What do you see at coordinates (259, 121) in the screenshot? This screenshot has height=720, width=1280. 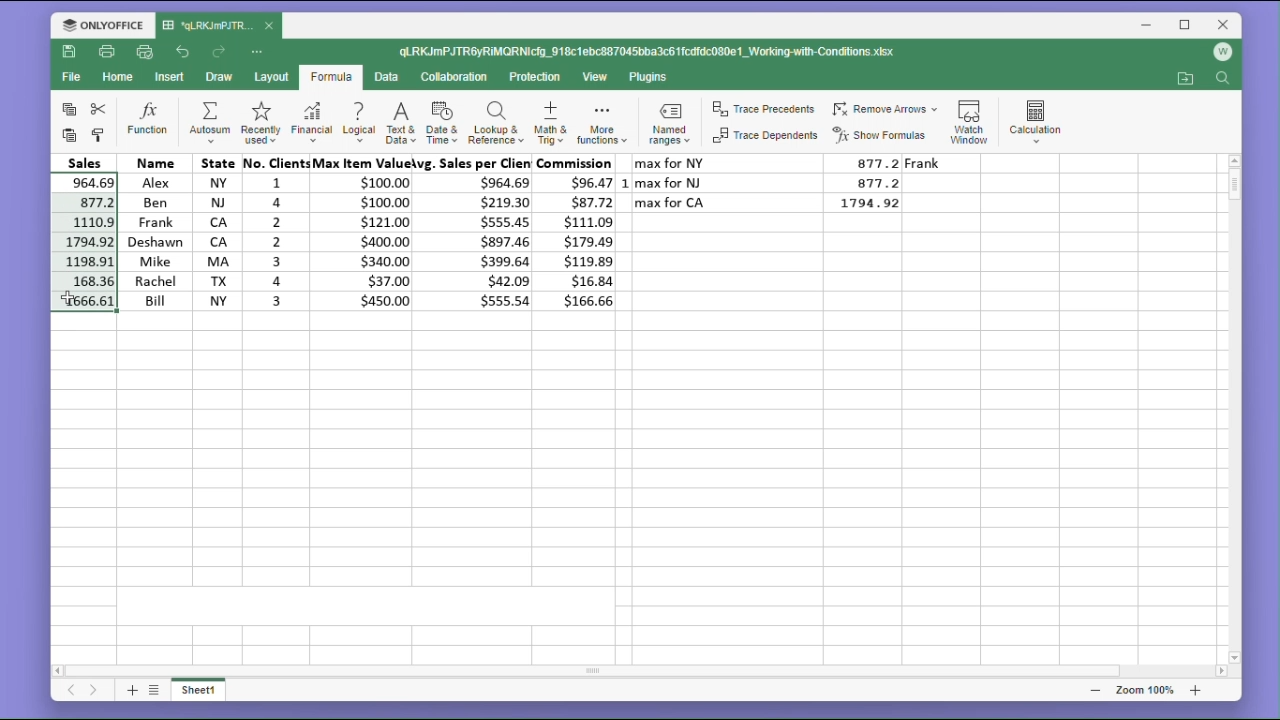 I see `recently used` at bounding box center [259, 121].